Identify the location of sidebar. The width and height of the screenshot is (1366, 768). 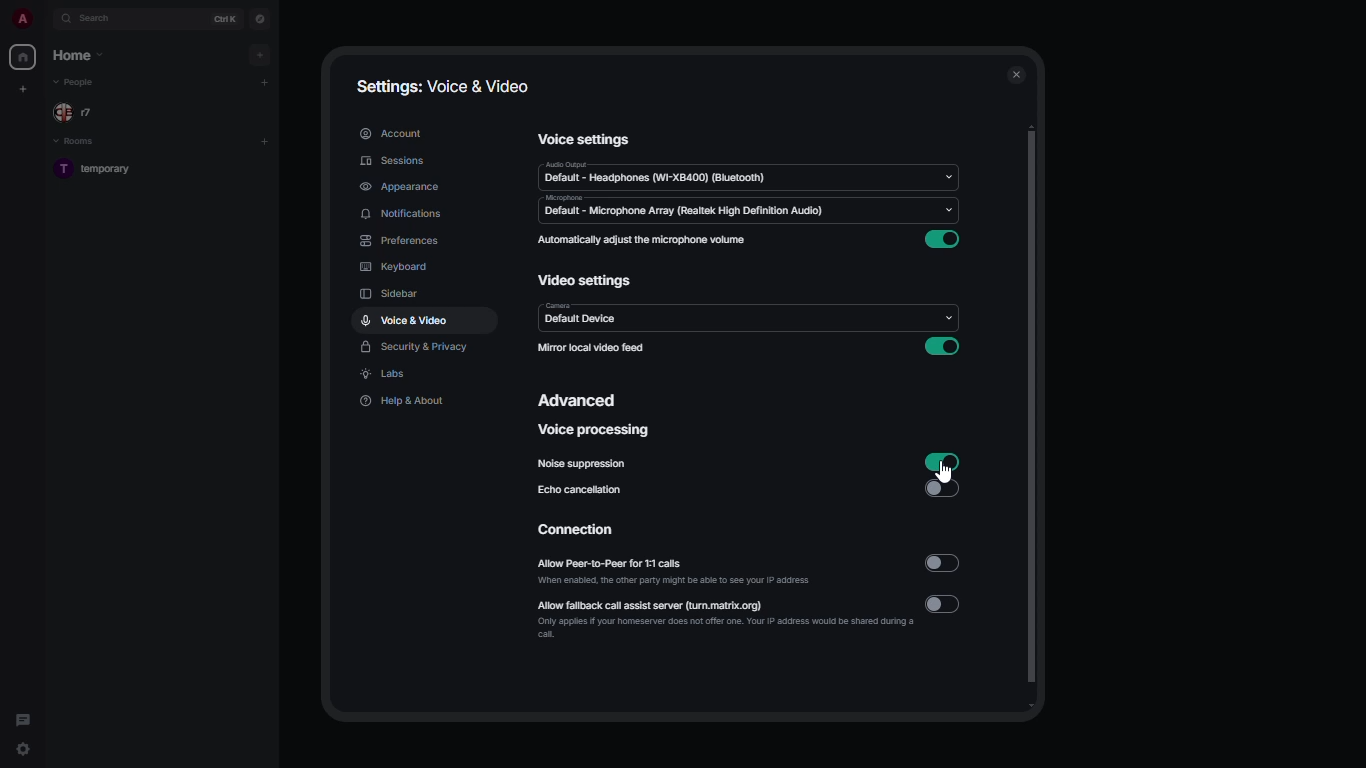
(391, 296).